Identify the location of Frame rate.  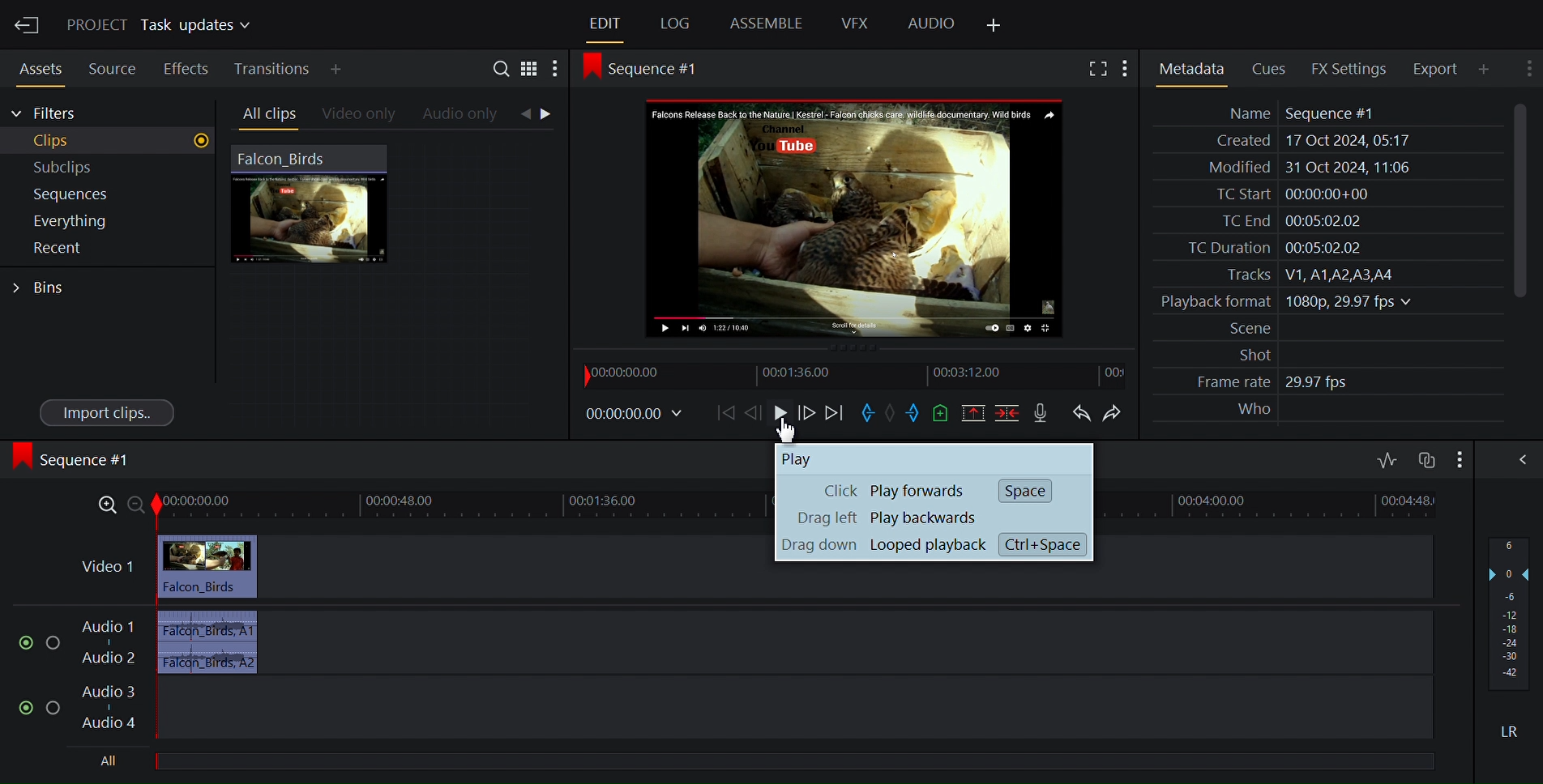
(1225, 382).